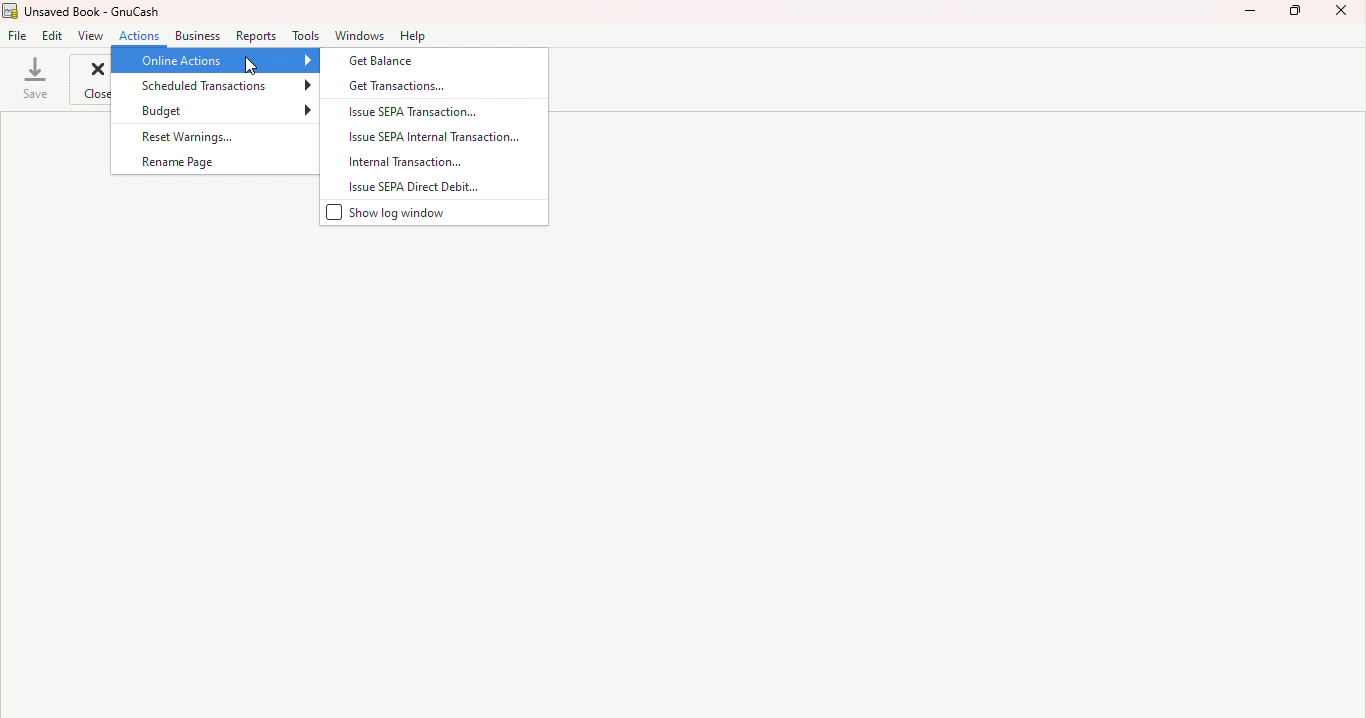 The height and width of the screenshot is (718, 1366). Describe the element at coordinates (198, 35) in the screenshot. I see `Business` at that location.